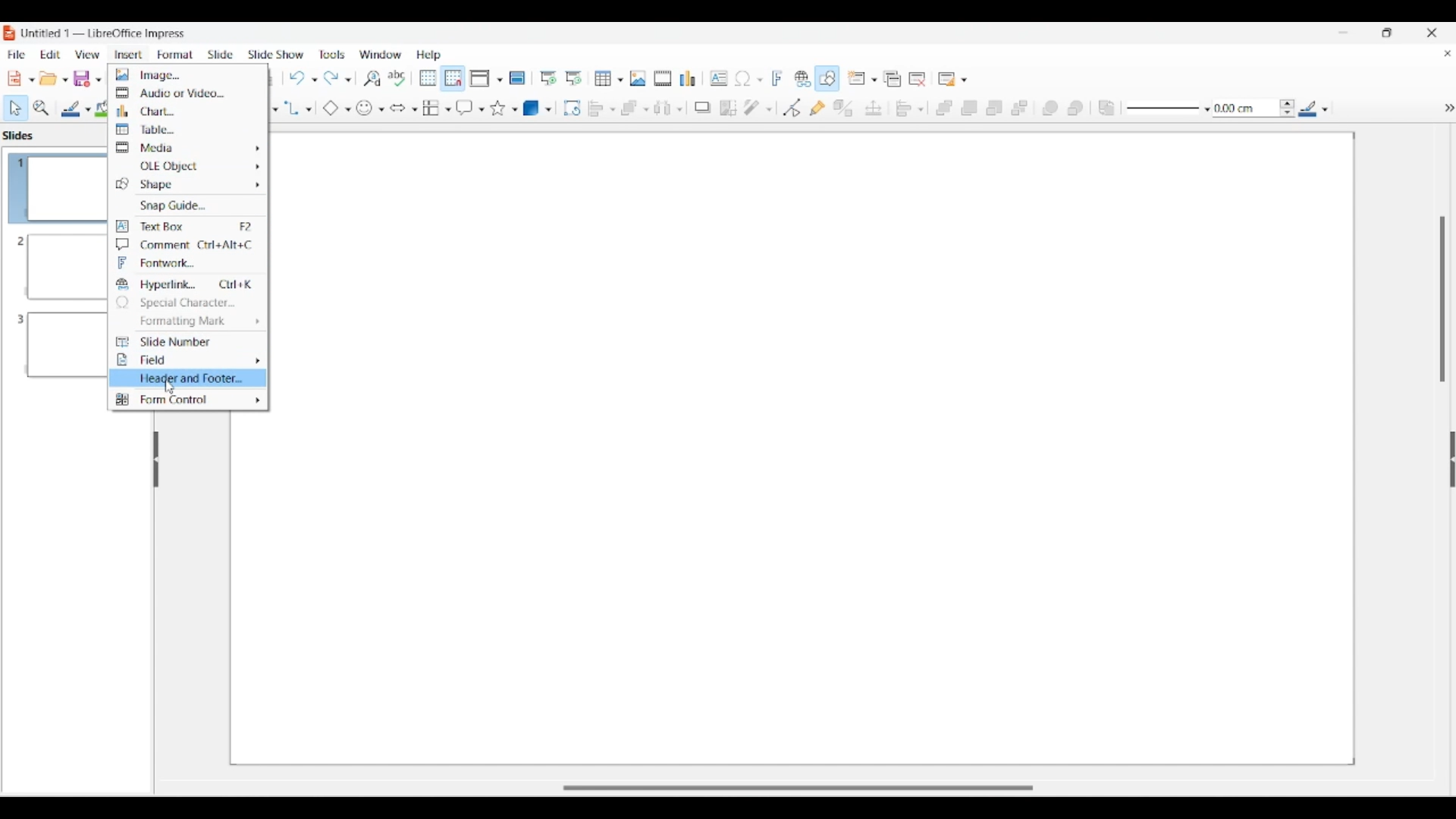  I want to click on Increase/Decrease line thickness, so click(1288, 108).